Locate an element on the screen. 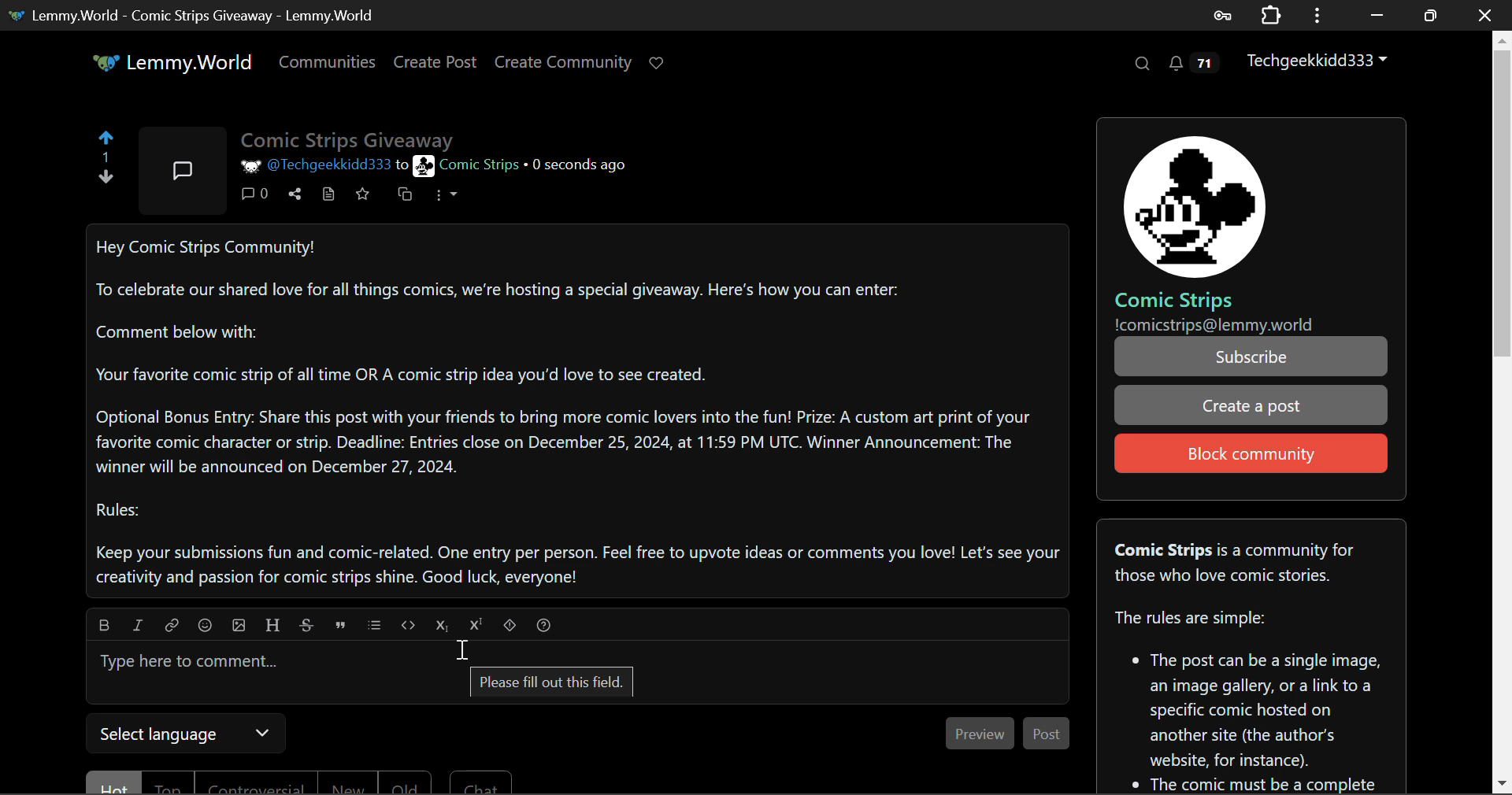 The height and width of the screenshot is (795, 1512). Close Window is located at coordinates (1484, 13).